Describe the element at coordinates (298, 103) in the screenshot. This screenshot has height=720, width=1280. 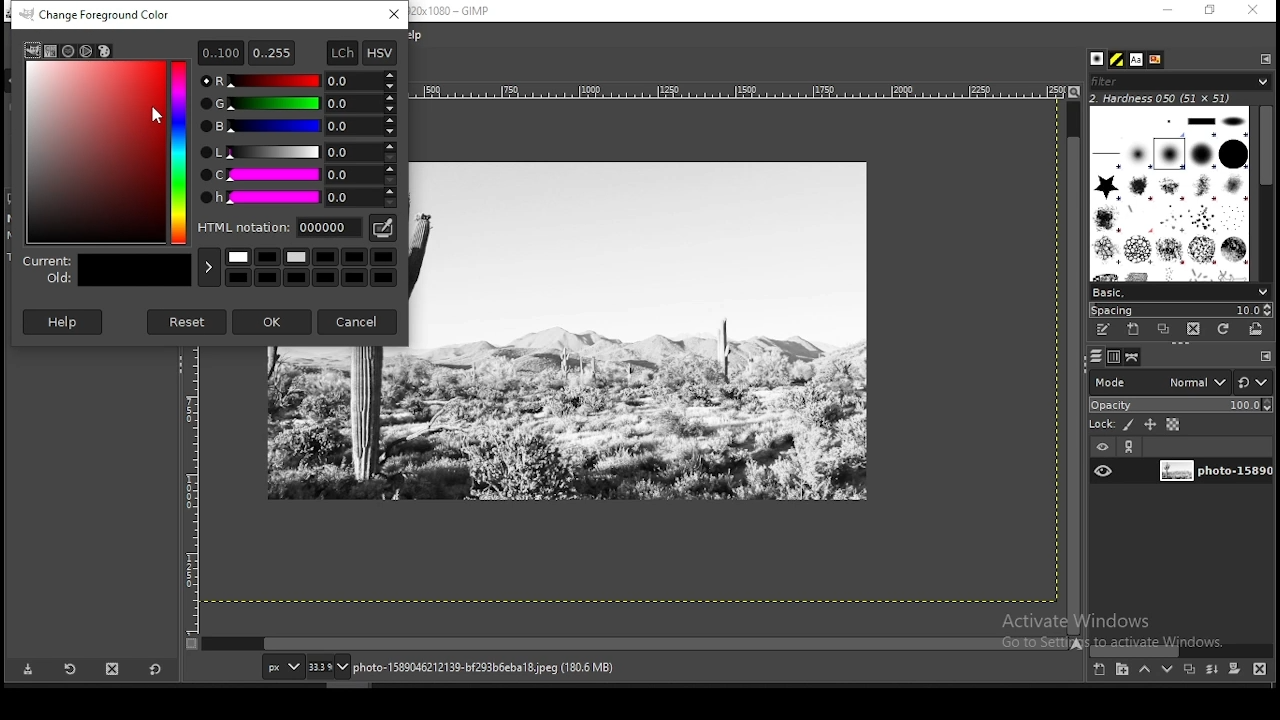
I see `green` at that location.